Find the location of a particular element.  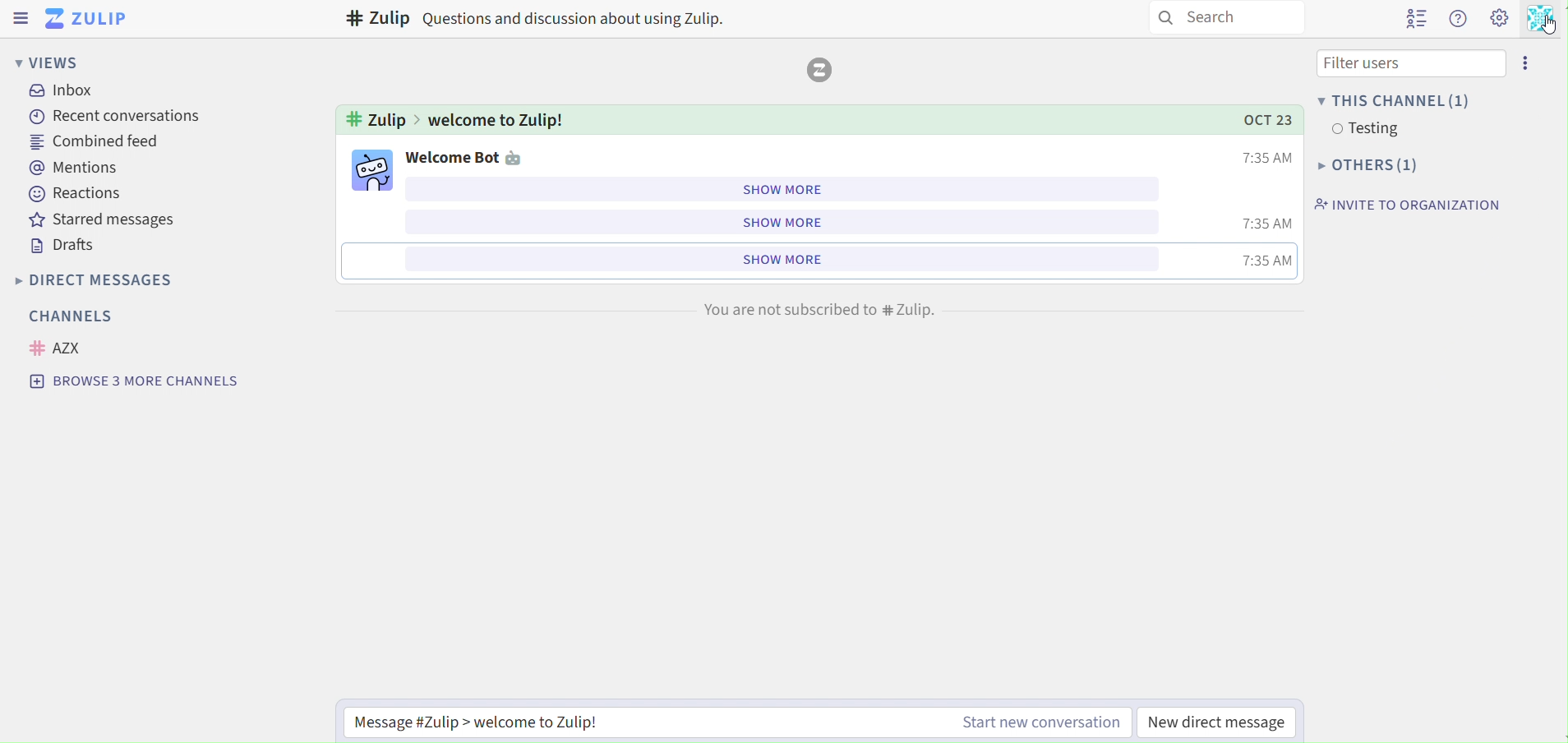

starred messages is located at coordinates (105, 220).